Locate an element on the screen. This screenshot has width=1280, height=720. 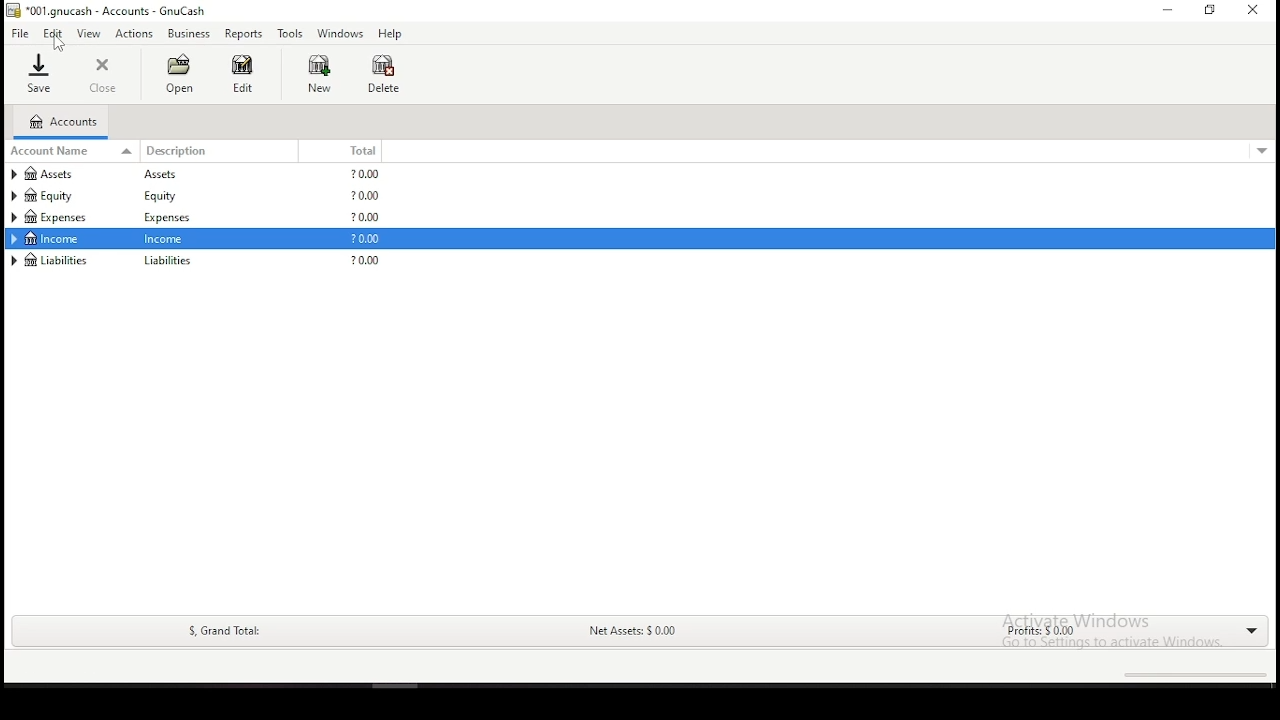
descrtiption is located at coordinates (224, 151).